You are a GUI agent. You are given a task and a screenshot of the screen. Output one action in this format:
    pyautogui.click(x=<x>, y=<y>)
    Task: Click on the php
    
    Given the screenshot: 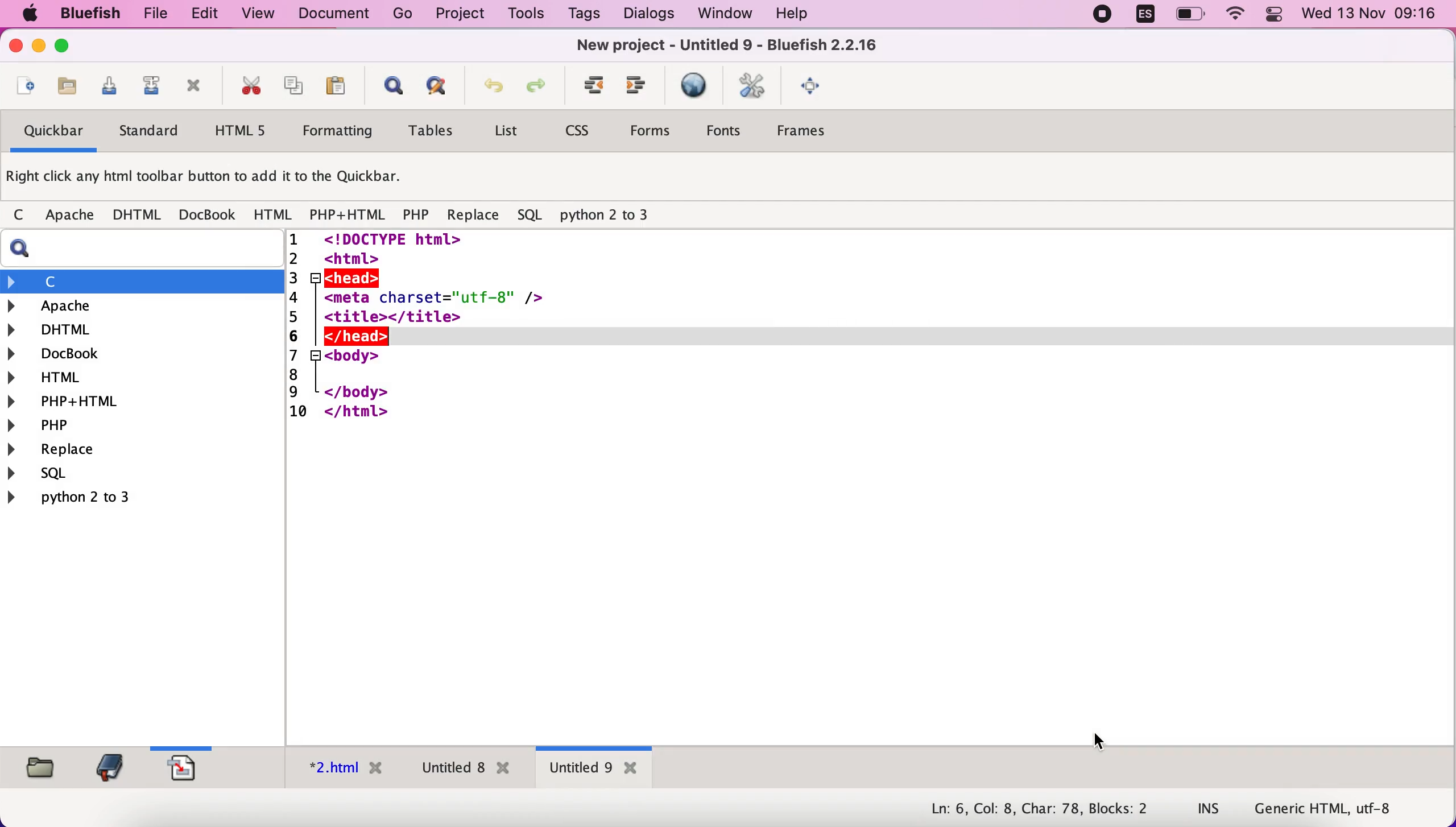 What is the action you would take?
    pyautogui.click(x=417, y=216)
    